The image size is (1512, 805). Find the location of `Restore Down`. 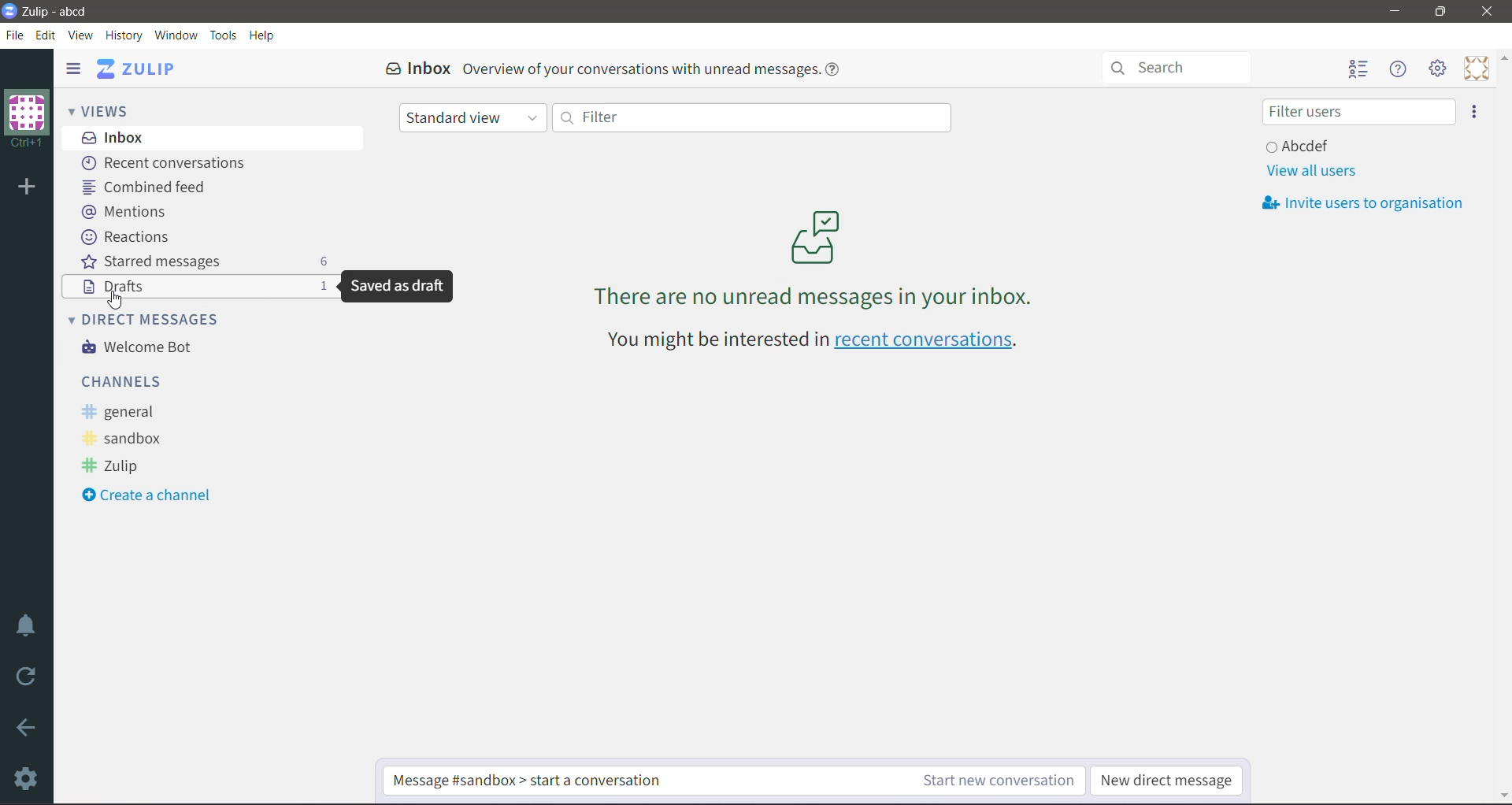

Restore Down is located at coordinates (1440, 12).